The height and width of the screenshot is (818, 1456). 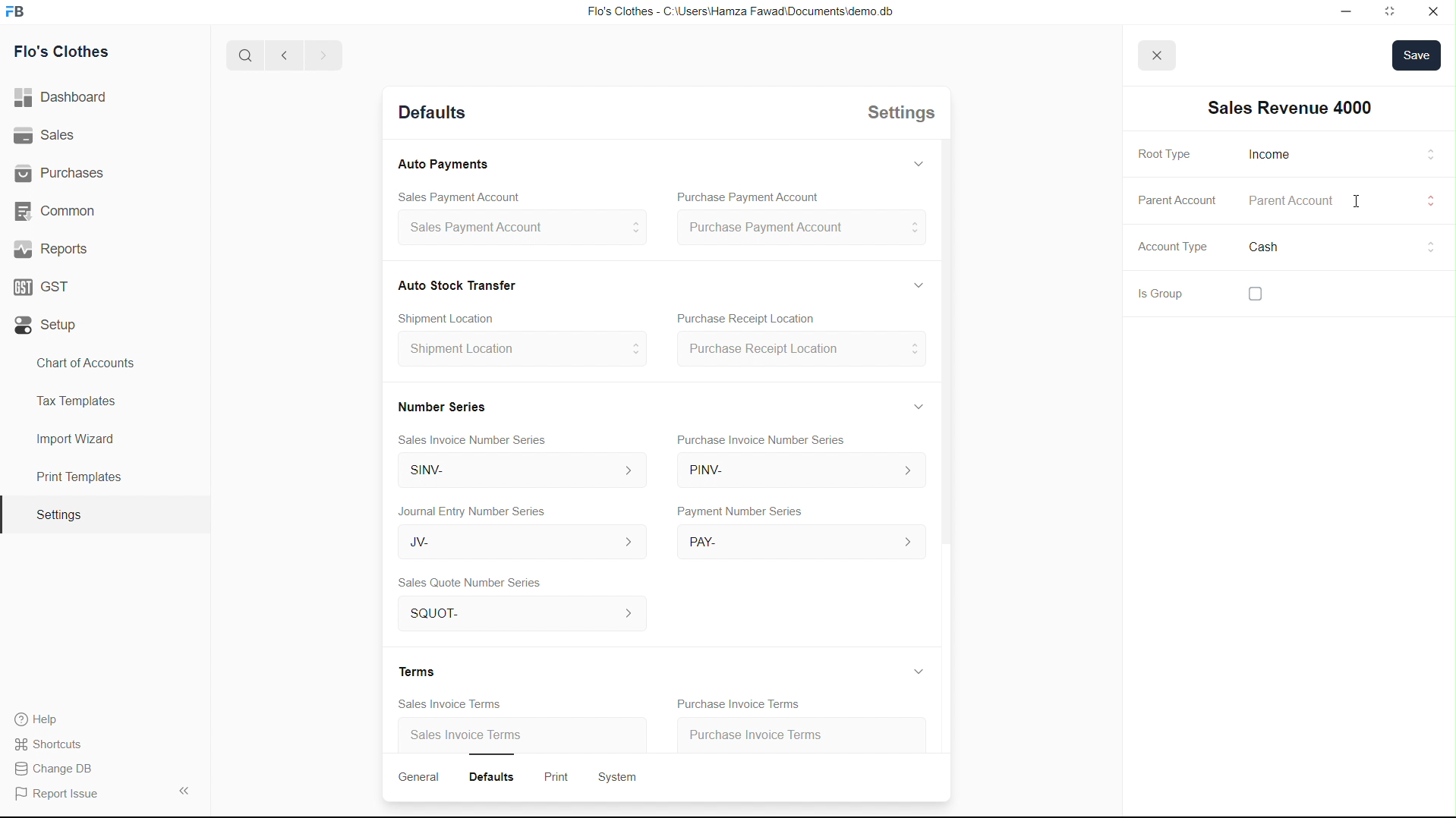 What do you see at coordinates (456, 315) in the screenshot?
I see `Create` at bounding box center [456, 315].